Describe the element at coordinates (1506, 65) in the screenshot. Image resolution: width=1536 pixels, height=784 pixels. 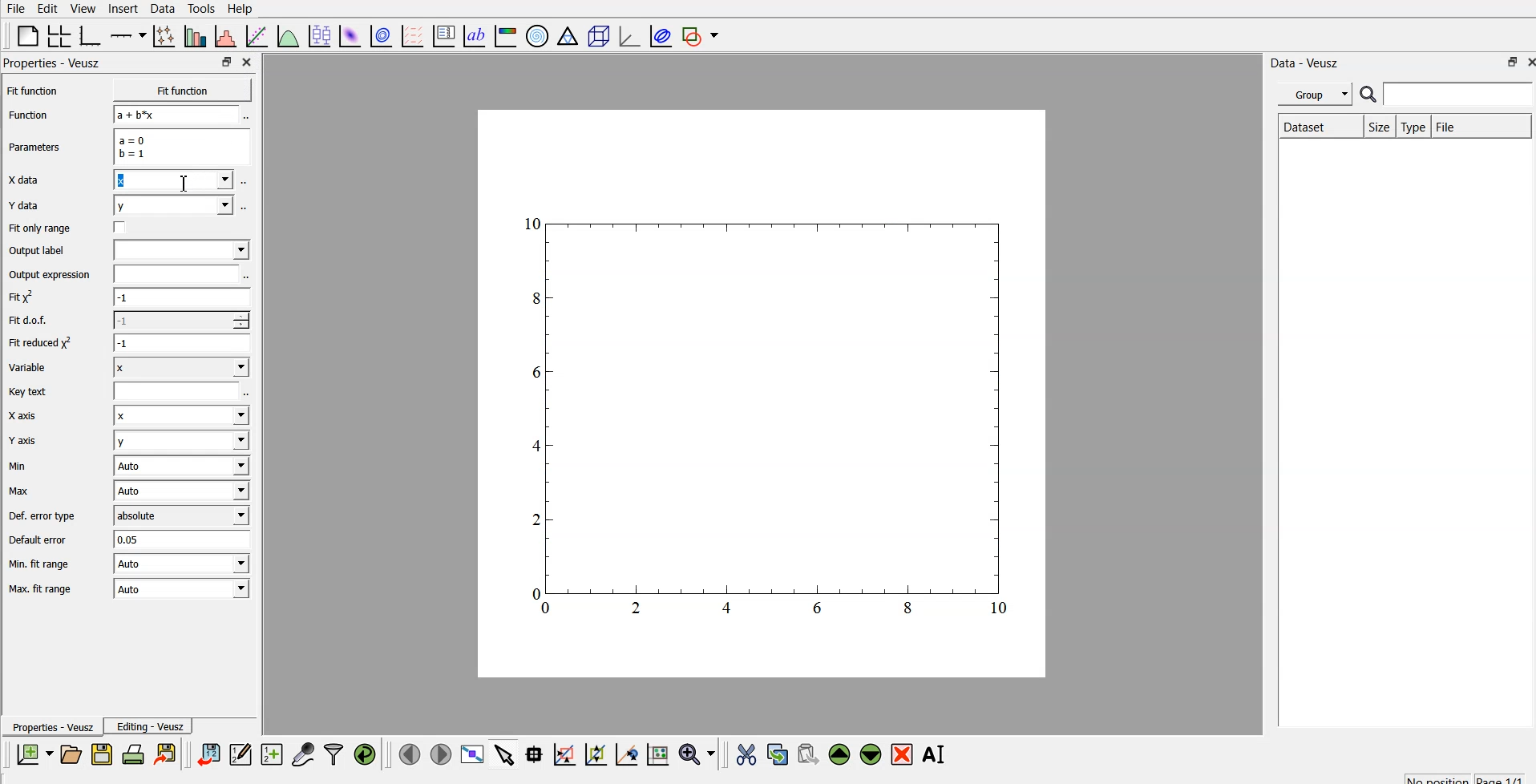
I see `restore down` at that location.